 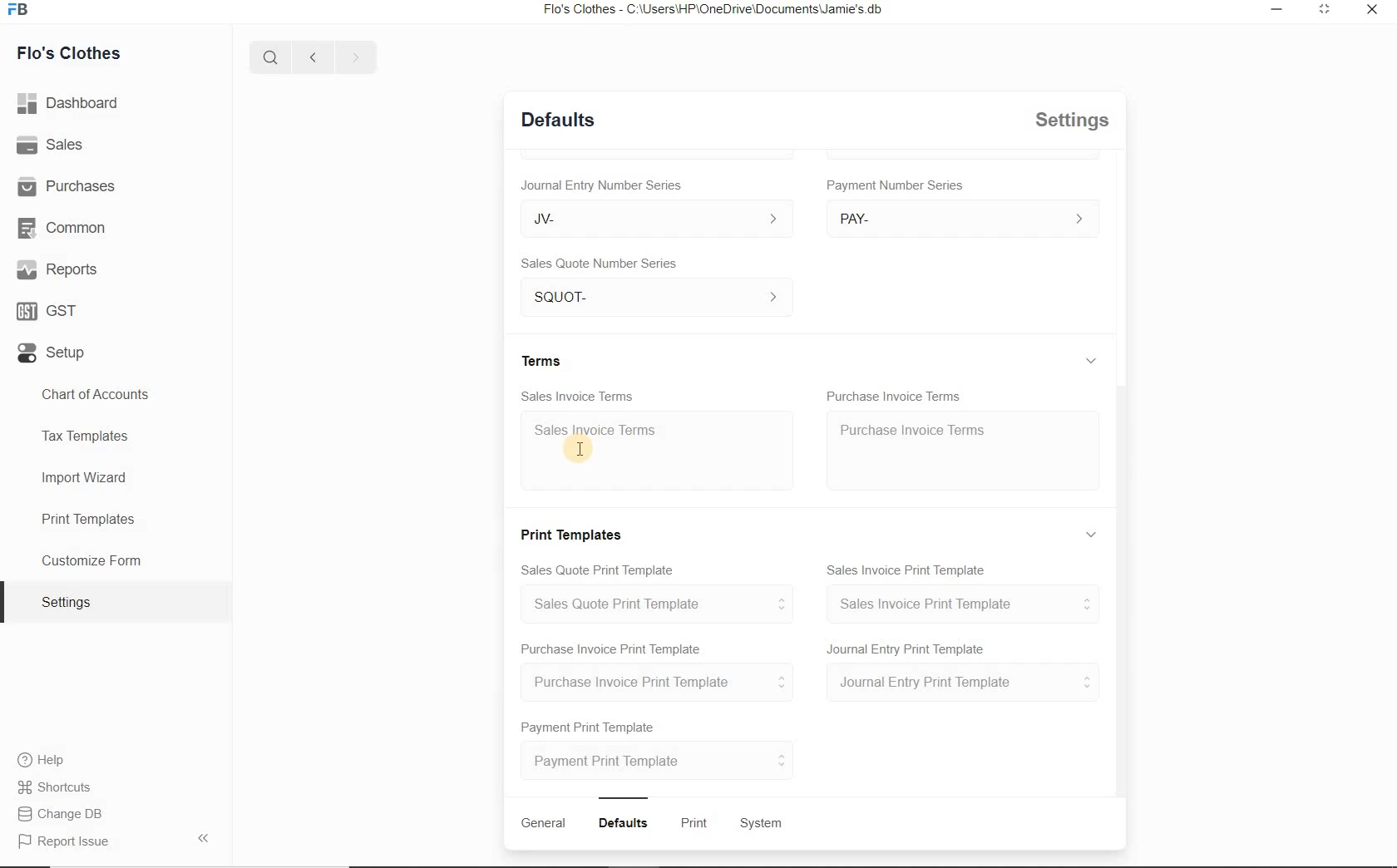 I want to click on Customize Form, so click(x=91, y=561).